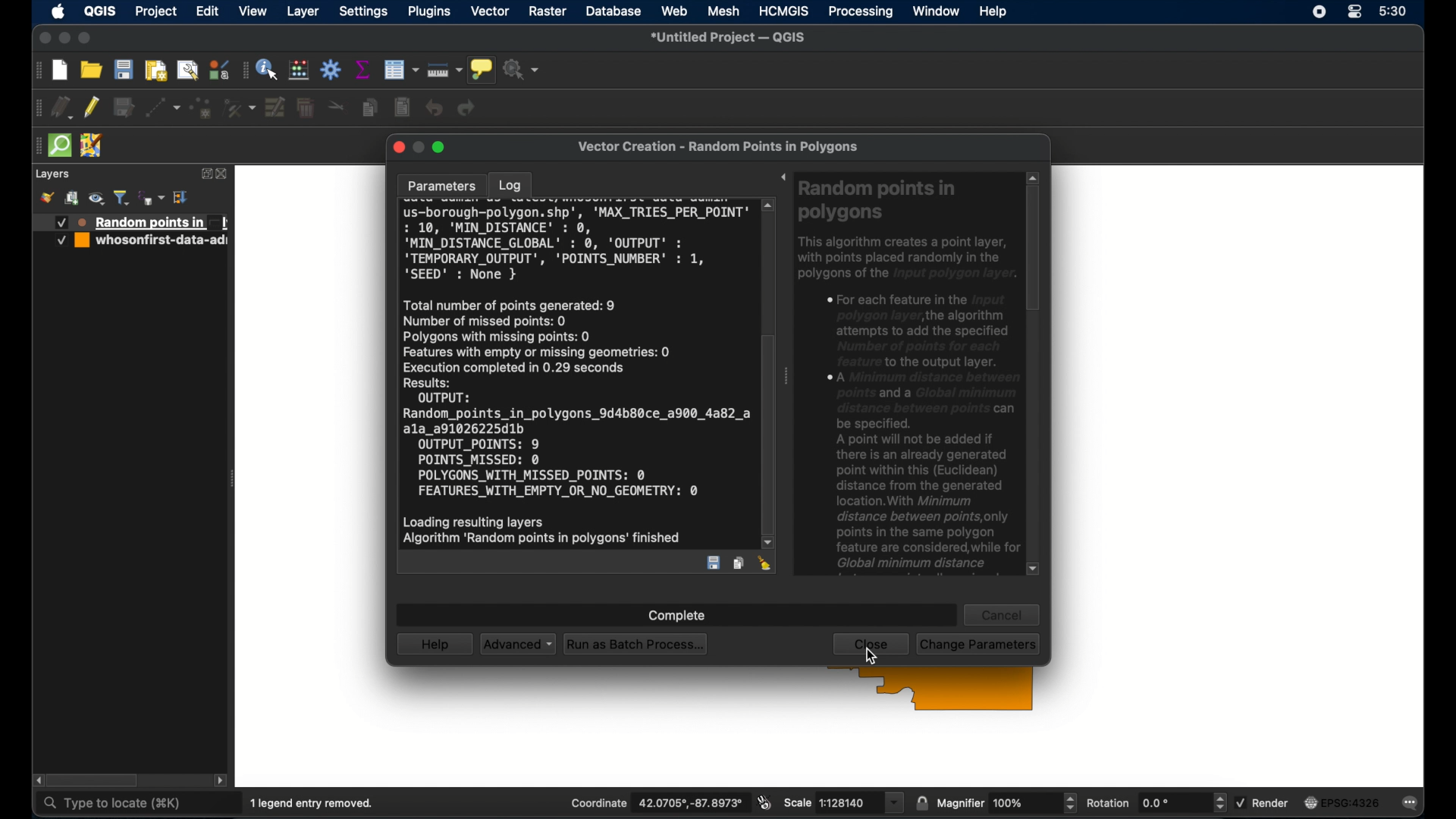 This screenshot has width=1456, height=819. What do you see at coordinates (124, 197) in the screenshot?
I see `filter legend` at bounding box center [124, 197].